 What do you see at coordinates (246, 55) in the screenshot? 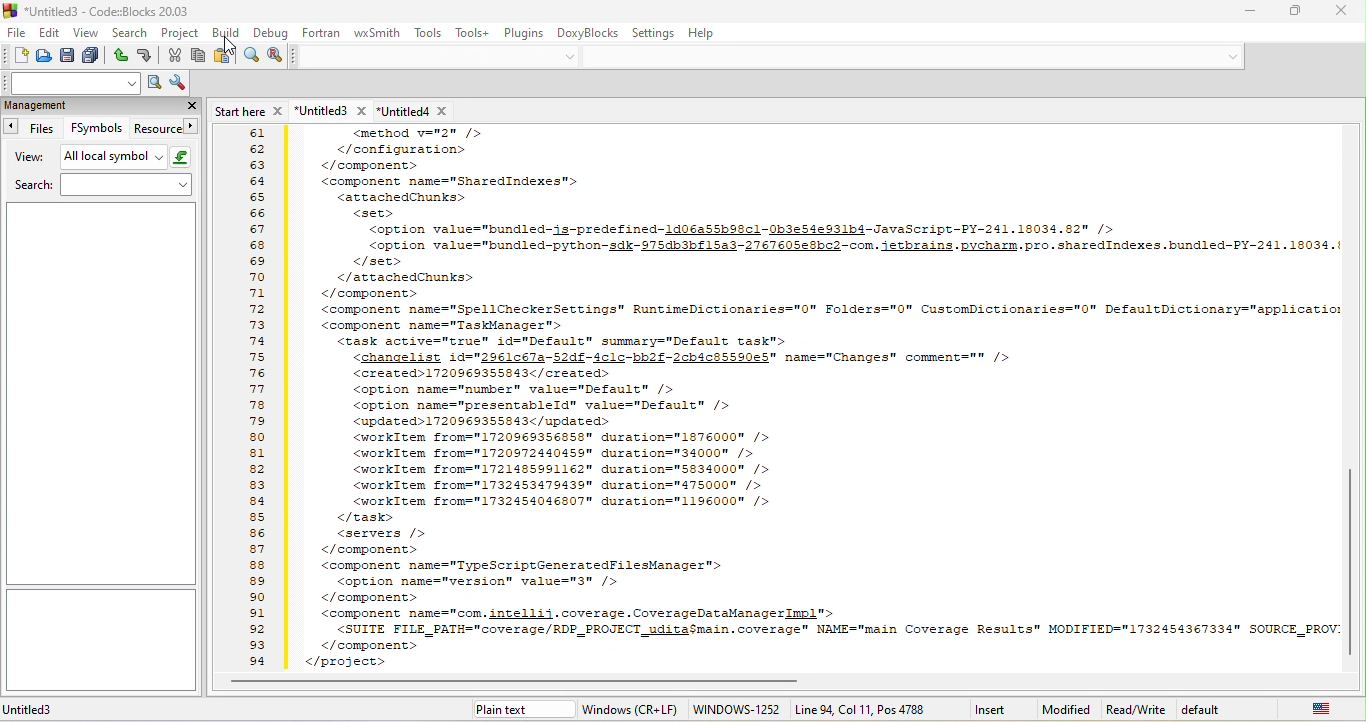
I see `find` at bounding box center [246, 55].